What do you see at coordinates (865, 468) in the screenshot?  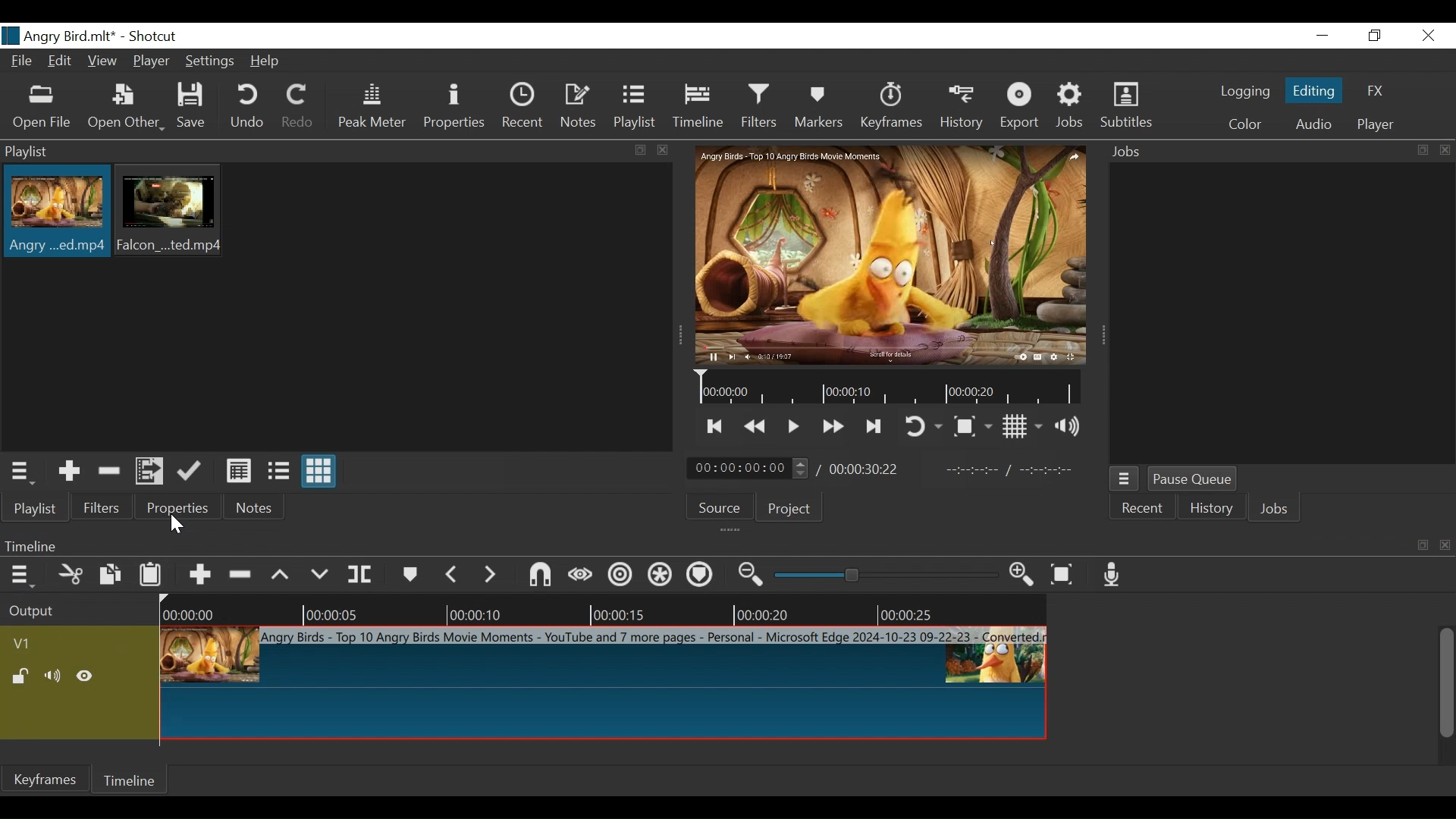 I see `Total Duration` at bounding box center [865, 468].